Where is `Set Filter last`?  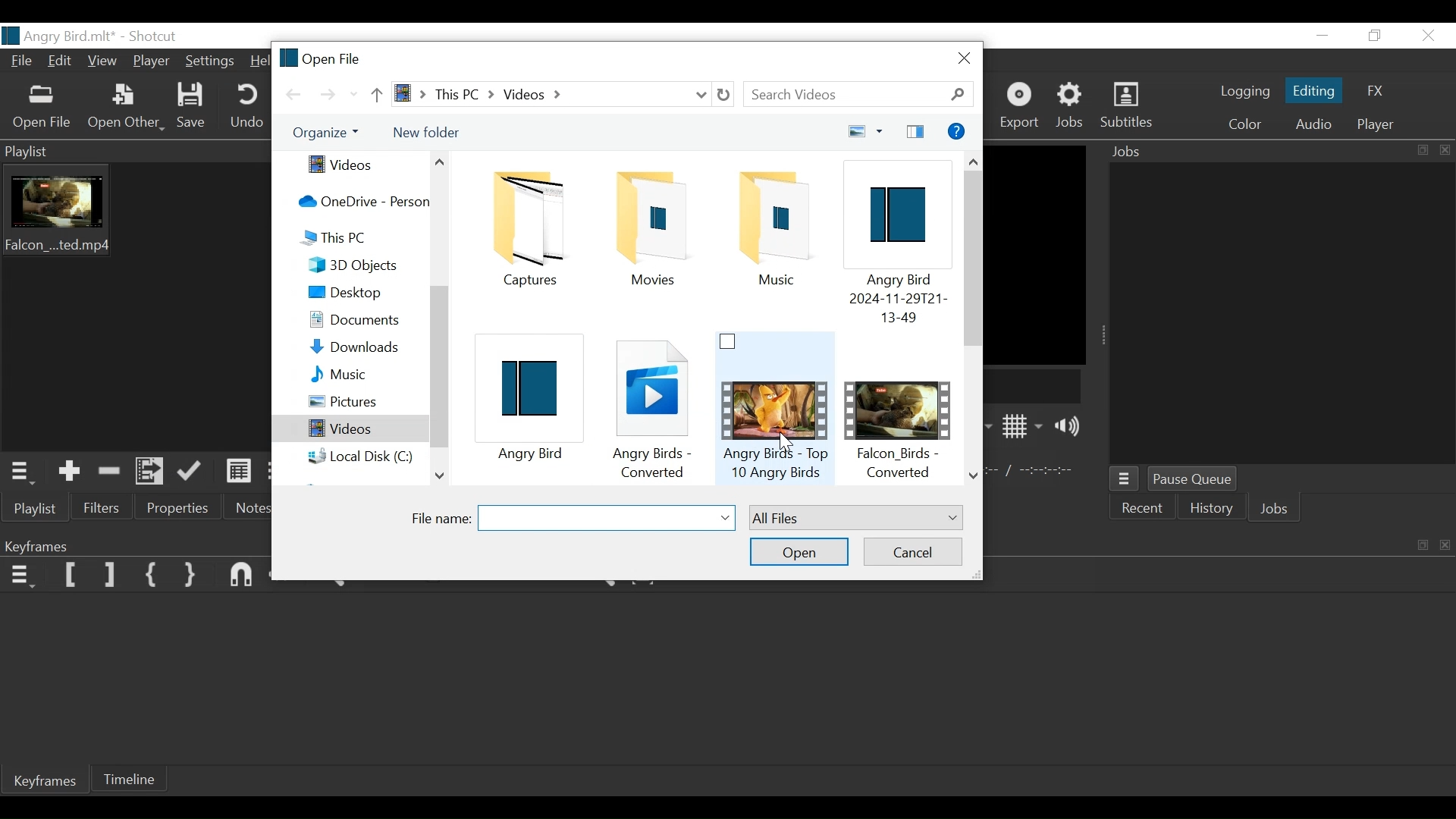 Set Filter last is located at coordinates (111, 575).